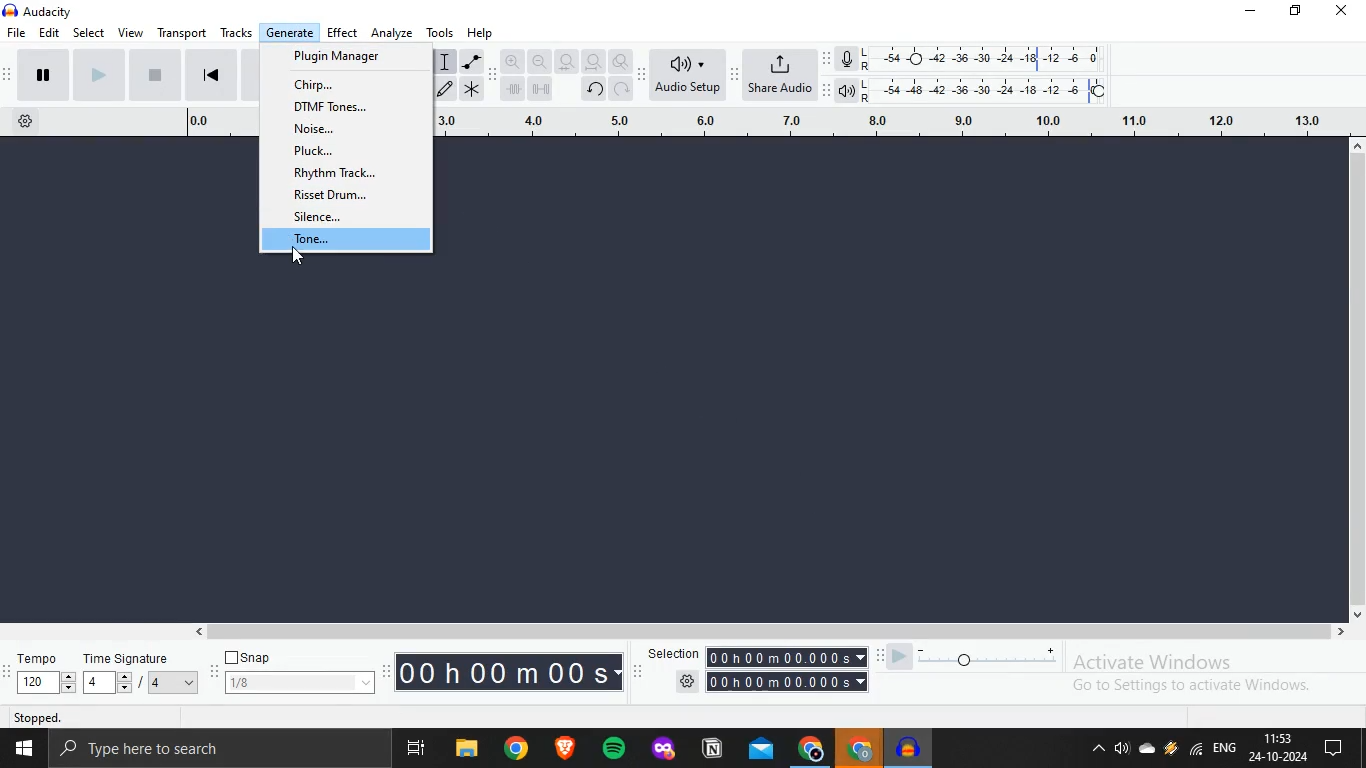 This screenshot has width=1366, height=768. I want to click on zoom Toogle, so click(624, 60).